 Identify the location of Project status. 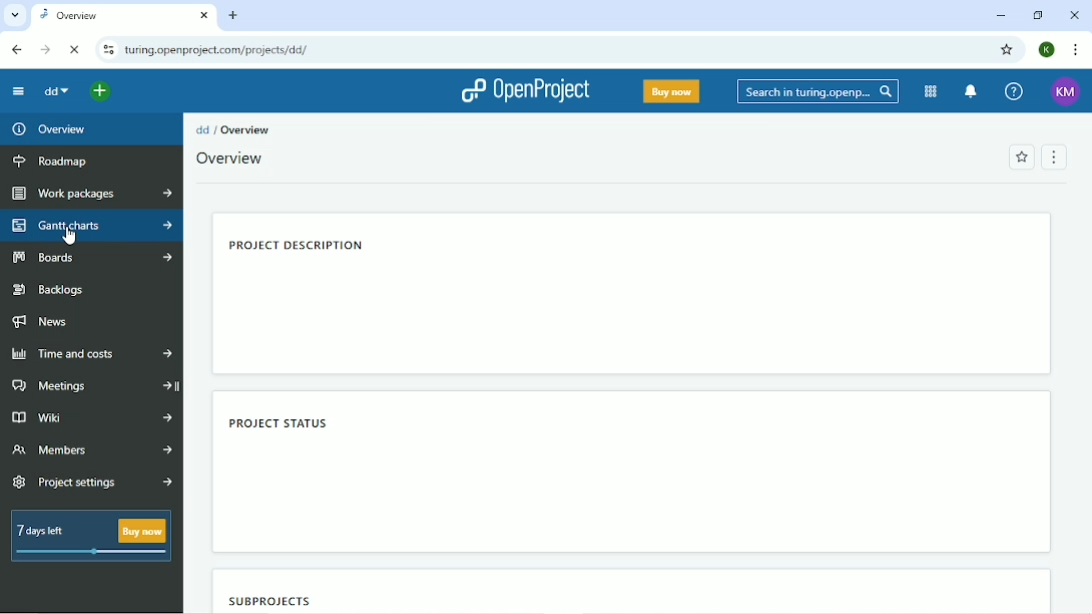
(279, 422).